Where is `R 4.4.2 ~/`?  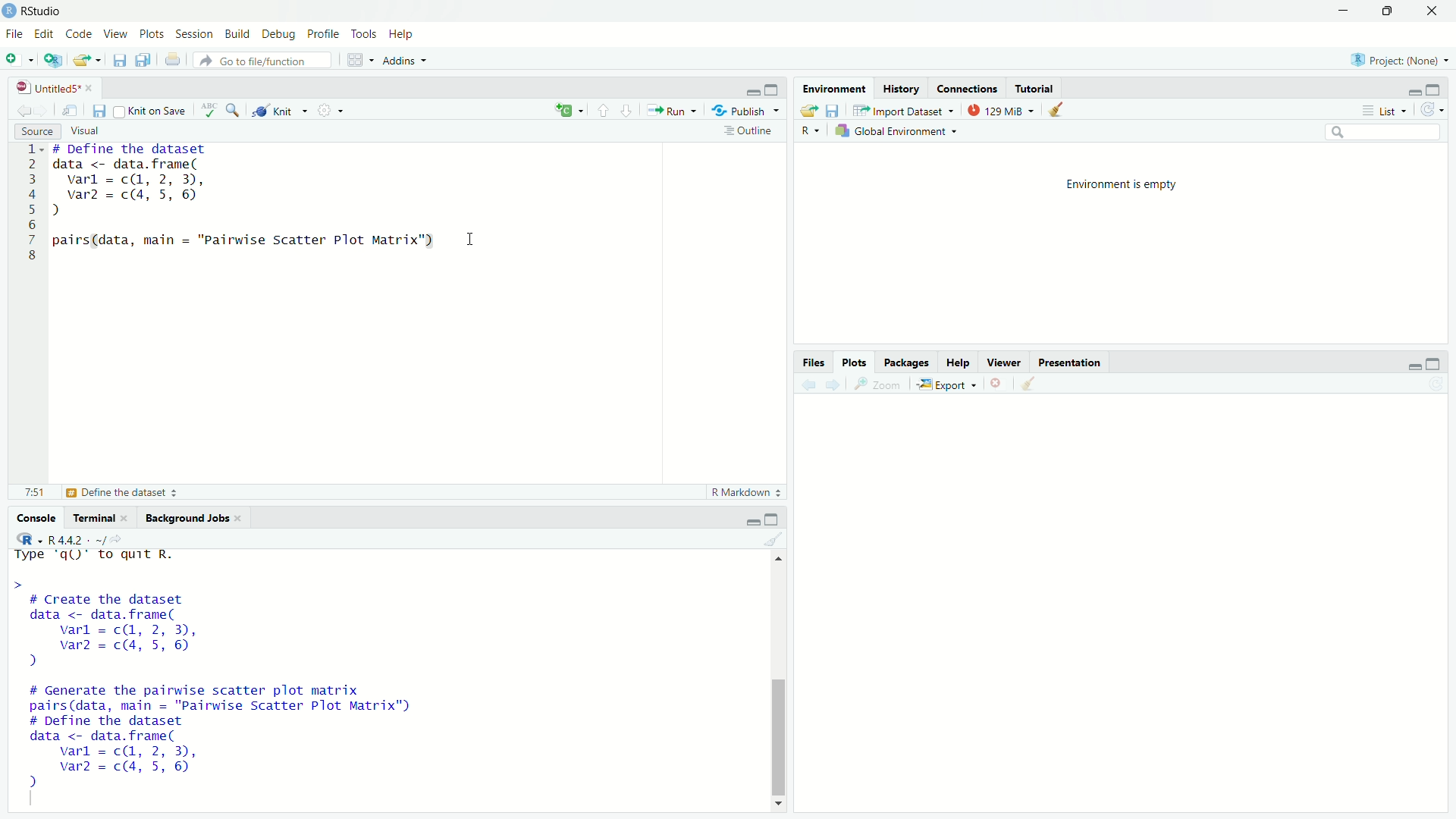
R 4.4.2 ~/ is located at coordinates (76, 538).